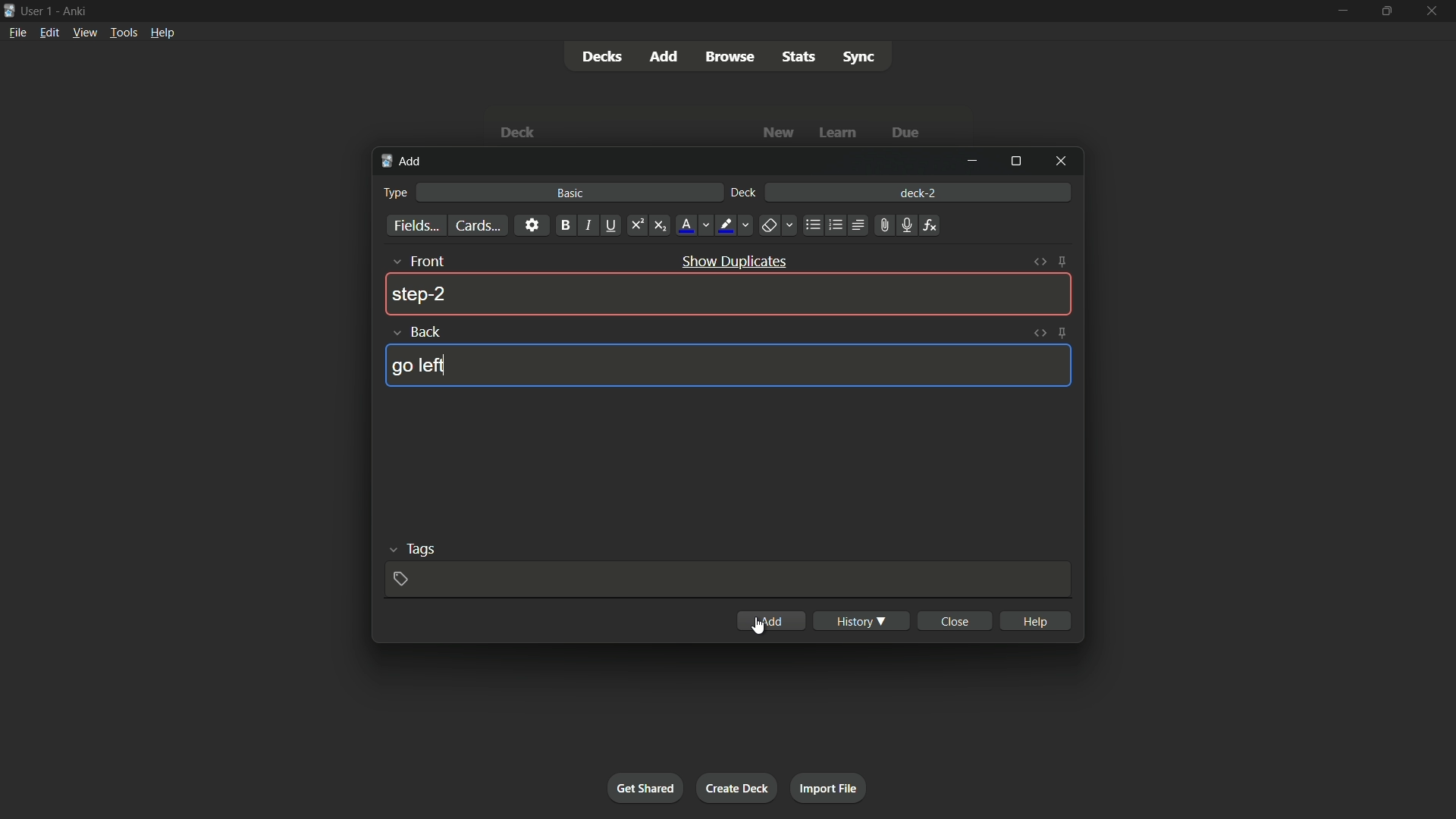 Image resolution: width=1456 pixels, height=819 pixels. I want to click on tags, so click(408, 550).